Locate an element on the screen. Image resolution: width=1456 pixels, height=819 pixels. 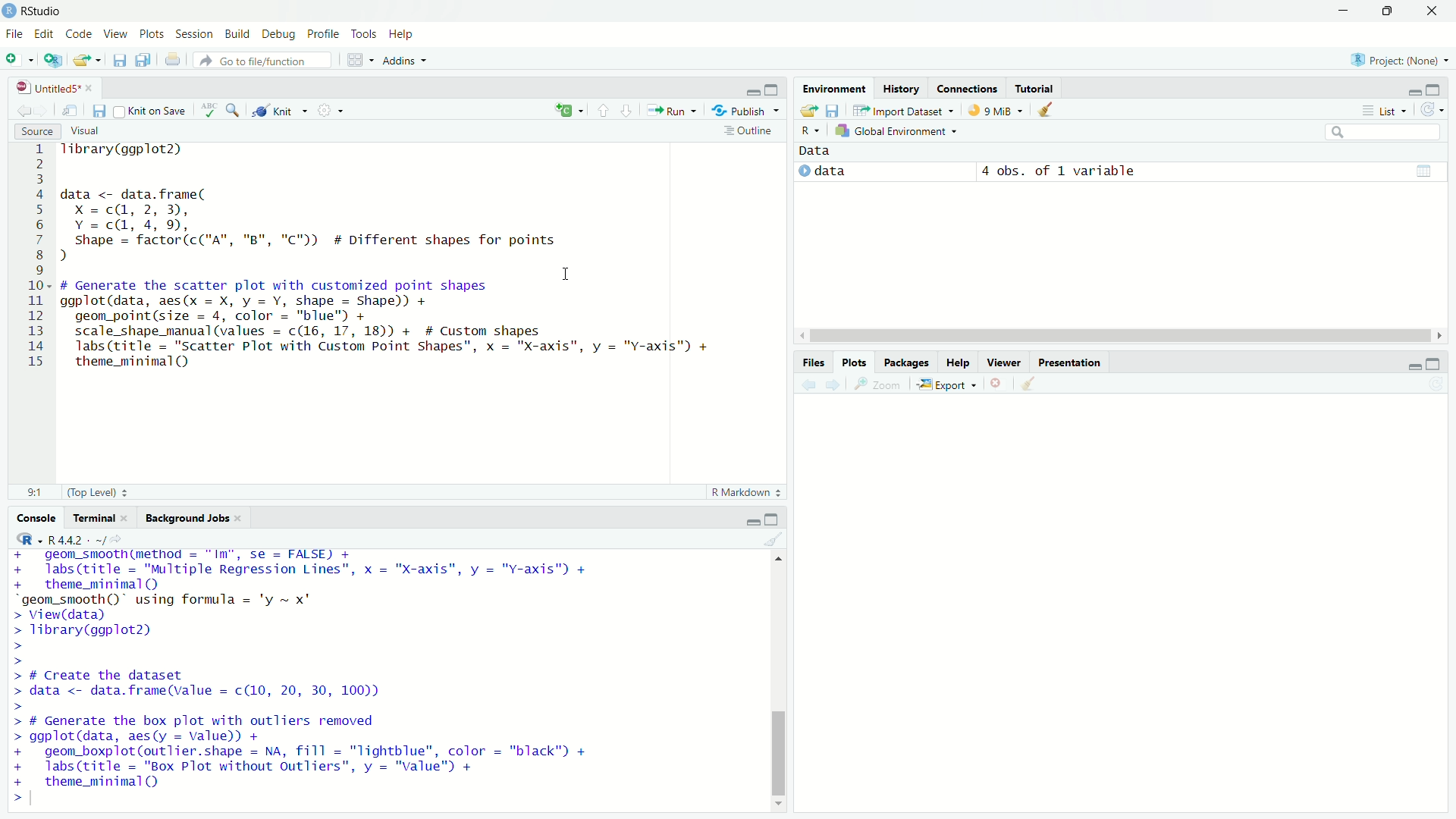
Code is located at coordinates (77, 33).